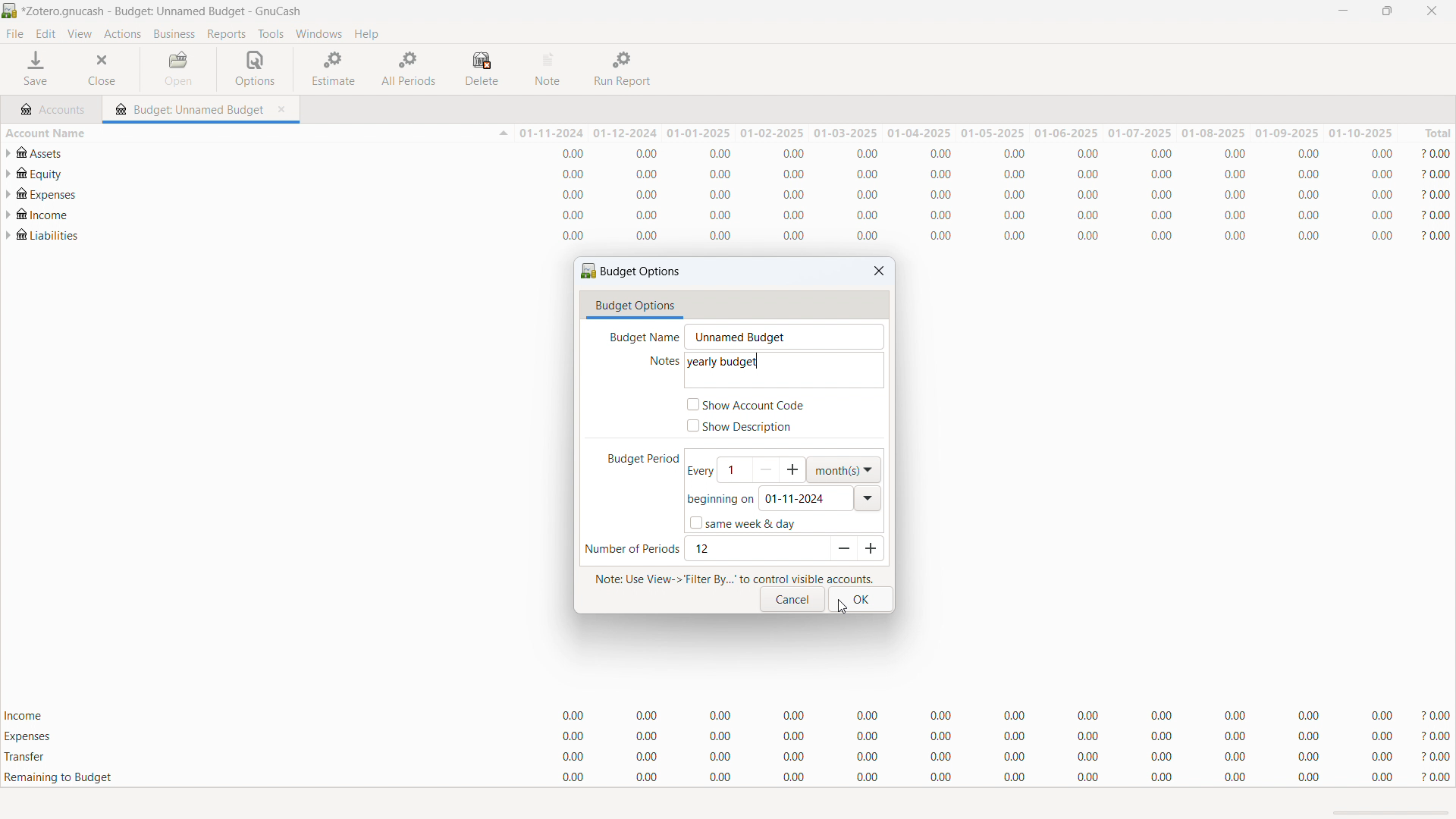 This screenshot has width=1456, height=819. Describe the element at coordinates (1066, 133) in the screenshot. I see `01-06-2025` at that location.